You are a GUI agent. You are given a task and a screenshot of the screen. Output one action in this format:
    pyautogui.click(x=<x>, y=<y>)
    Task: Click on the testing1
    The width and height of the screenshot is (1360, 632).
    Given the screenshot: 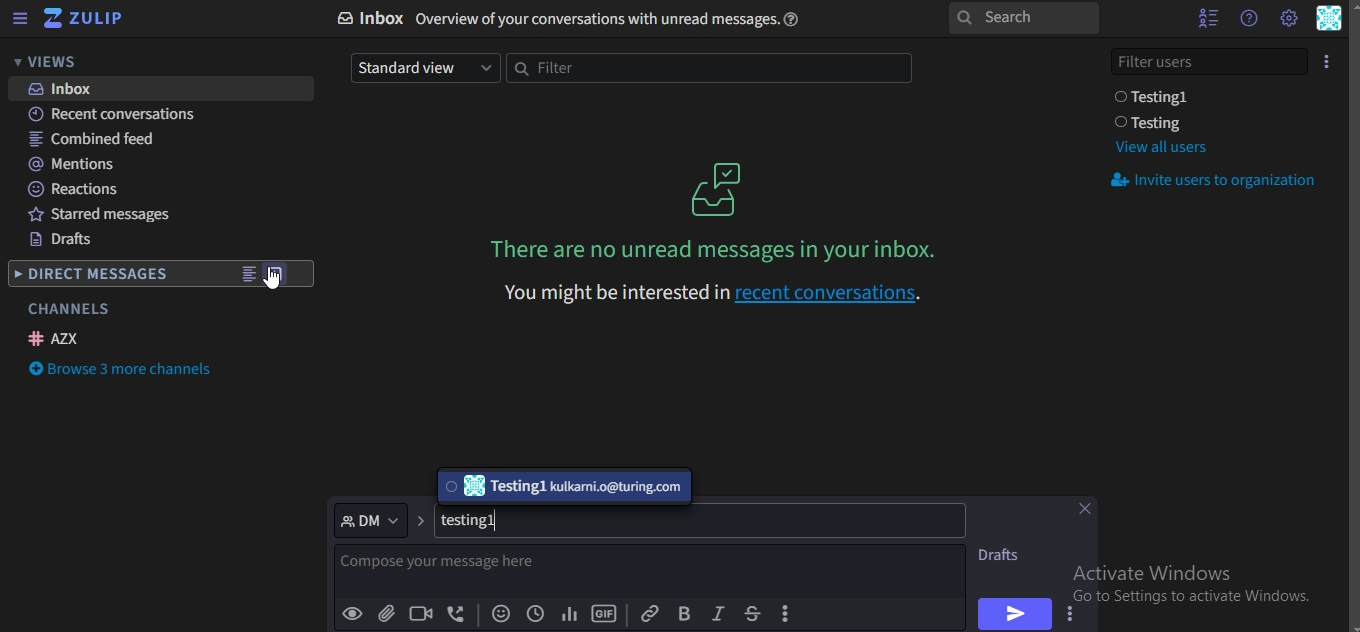 What is the action you would take?
    pyautogui.click(x=1156, y=97)
    